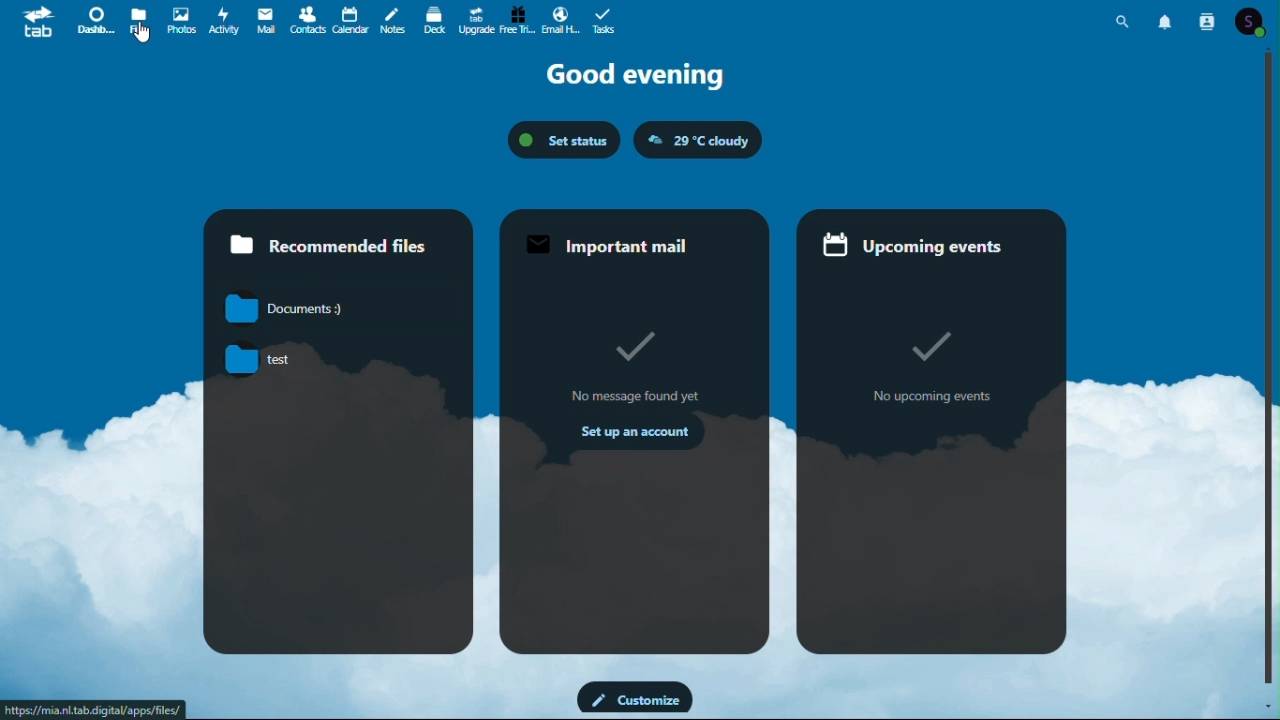  I want to click on tasks, so click(604, 21).